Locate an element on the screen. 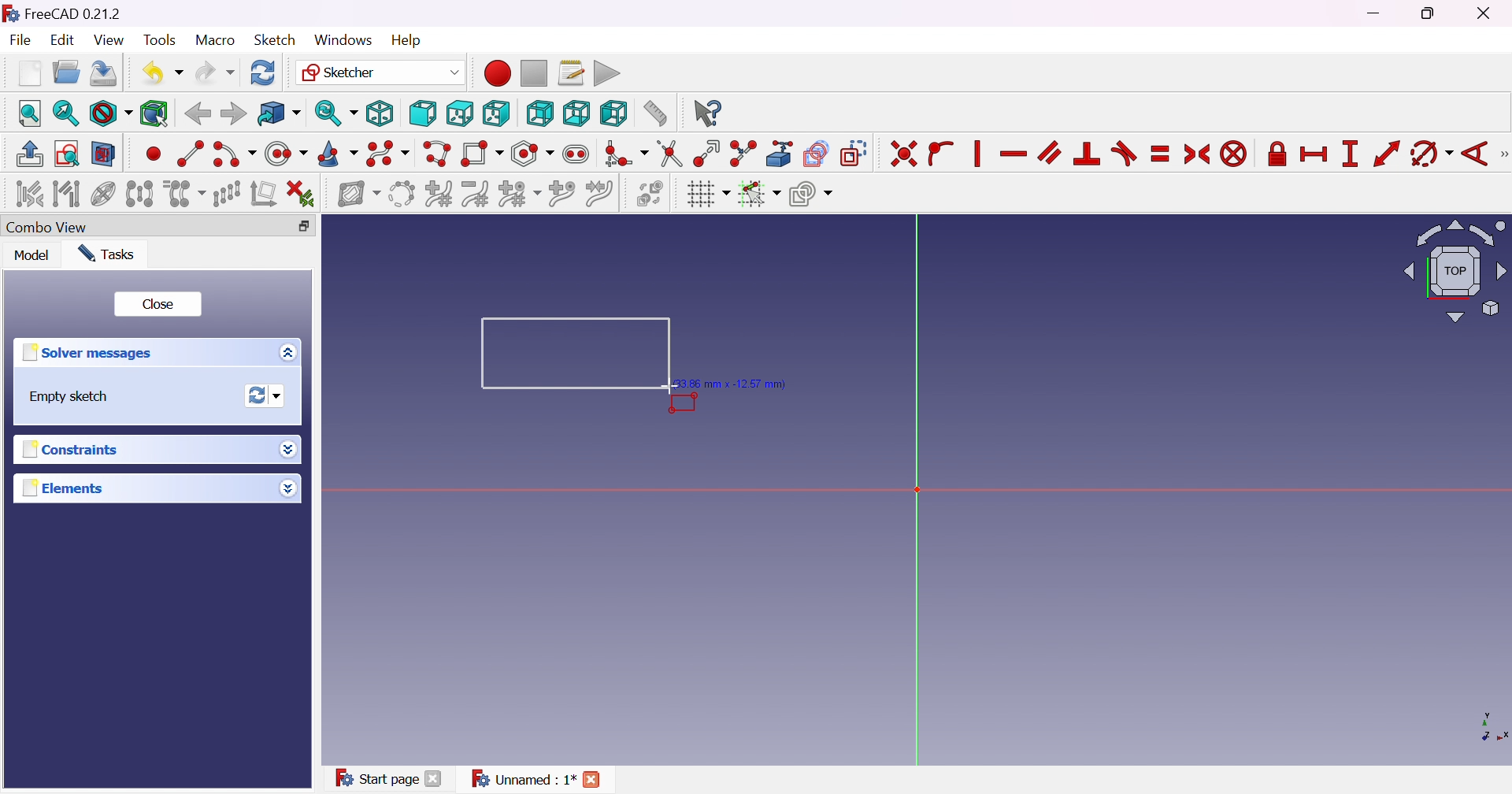 The image size is (1512, 794). Create conic is located at coordinates (338, 154).